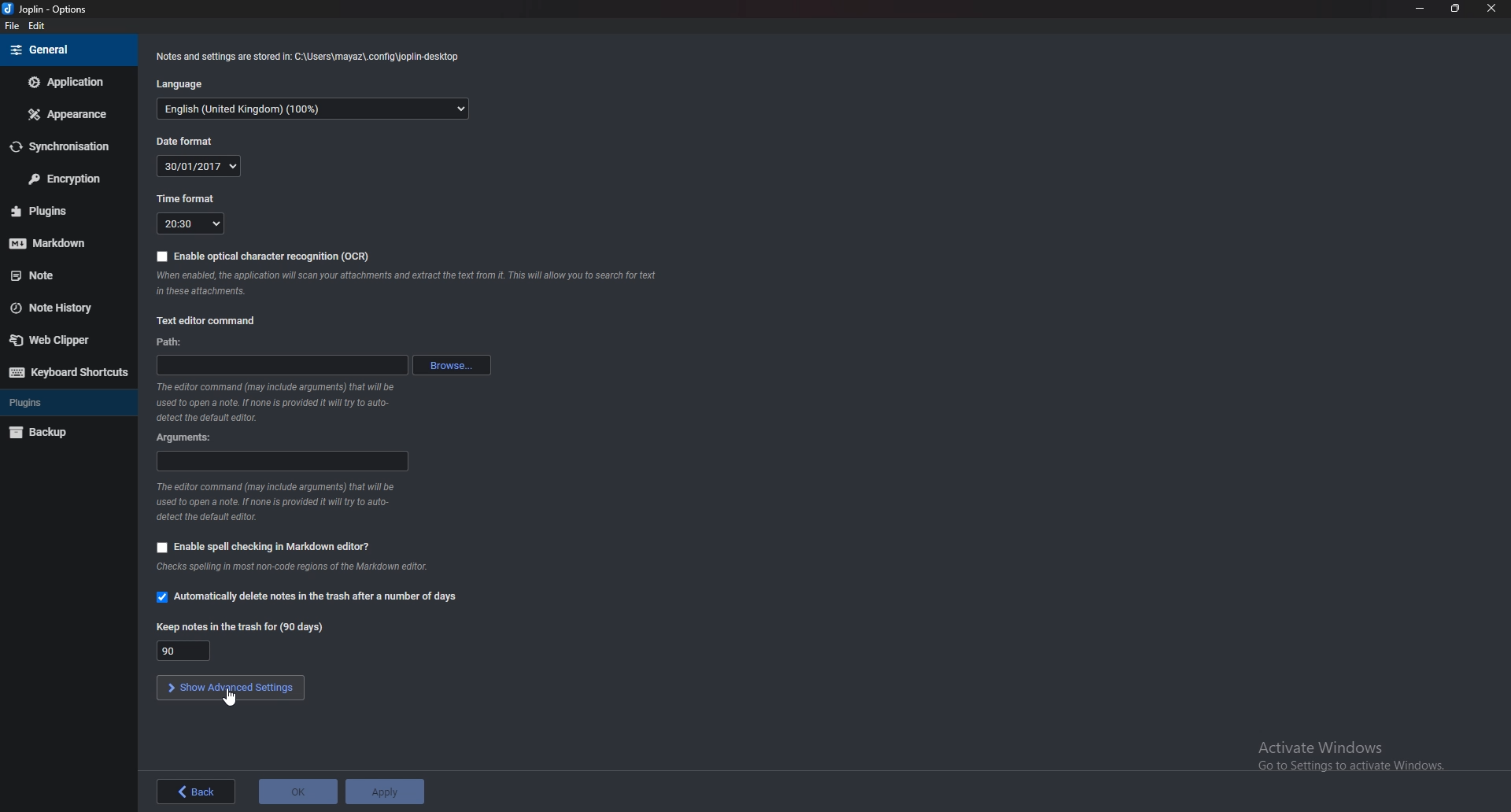  Describe the element at coordinates (64, 434) in the screenshot. I see `Back up` at that location.